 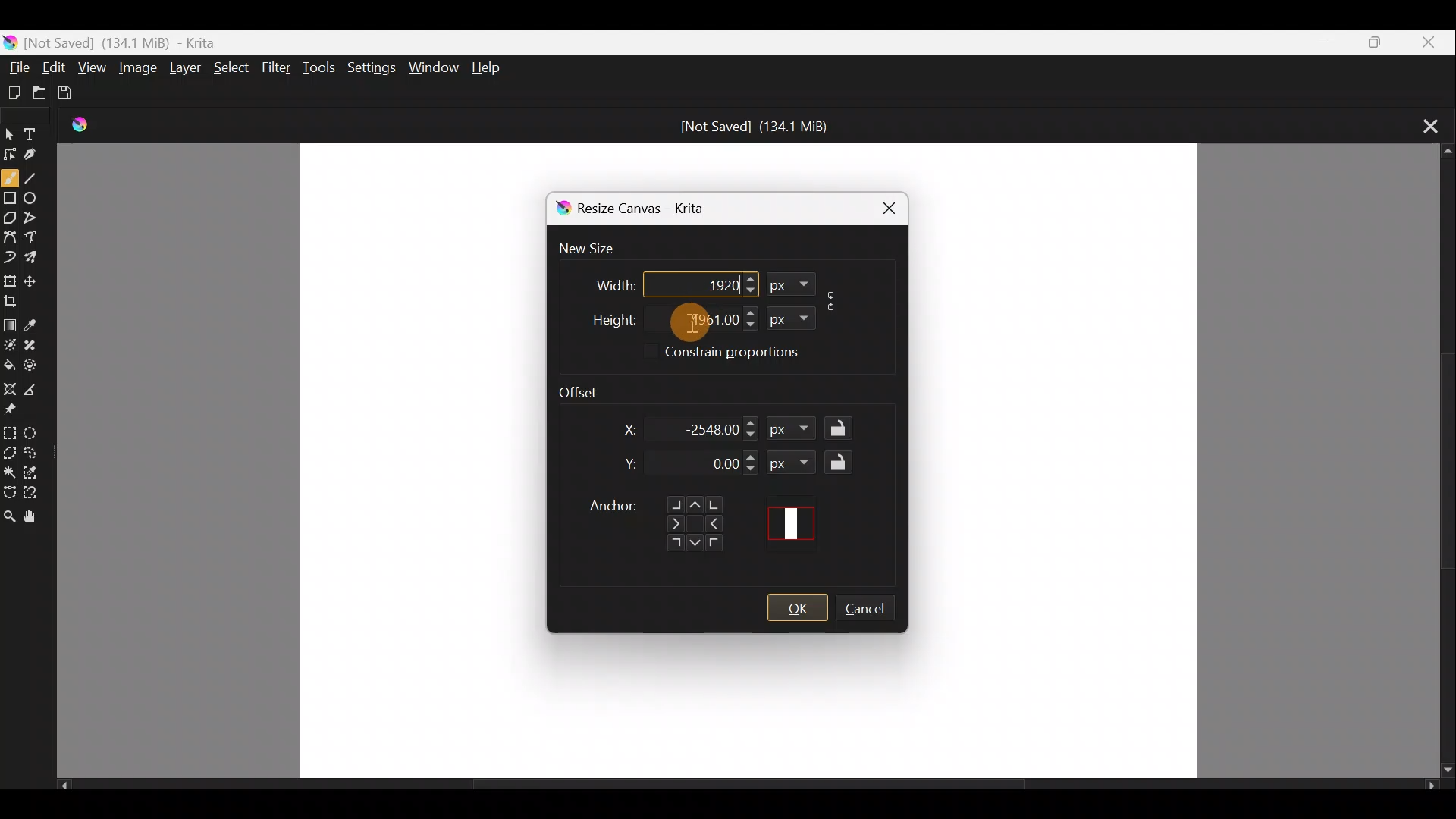 What do you see at coordinates (37, 474) in the screenshot?
I see `Similar colour selection tool` at bounding box center [37, 474].